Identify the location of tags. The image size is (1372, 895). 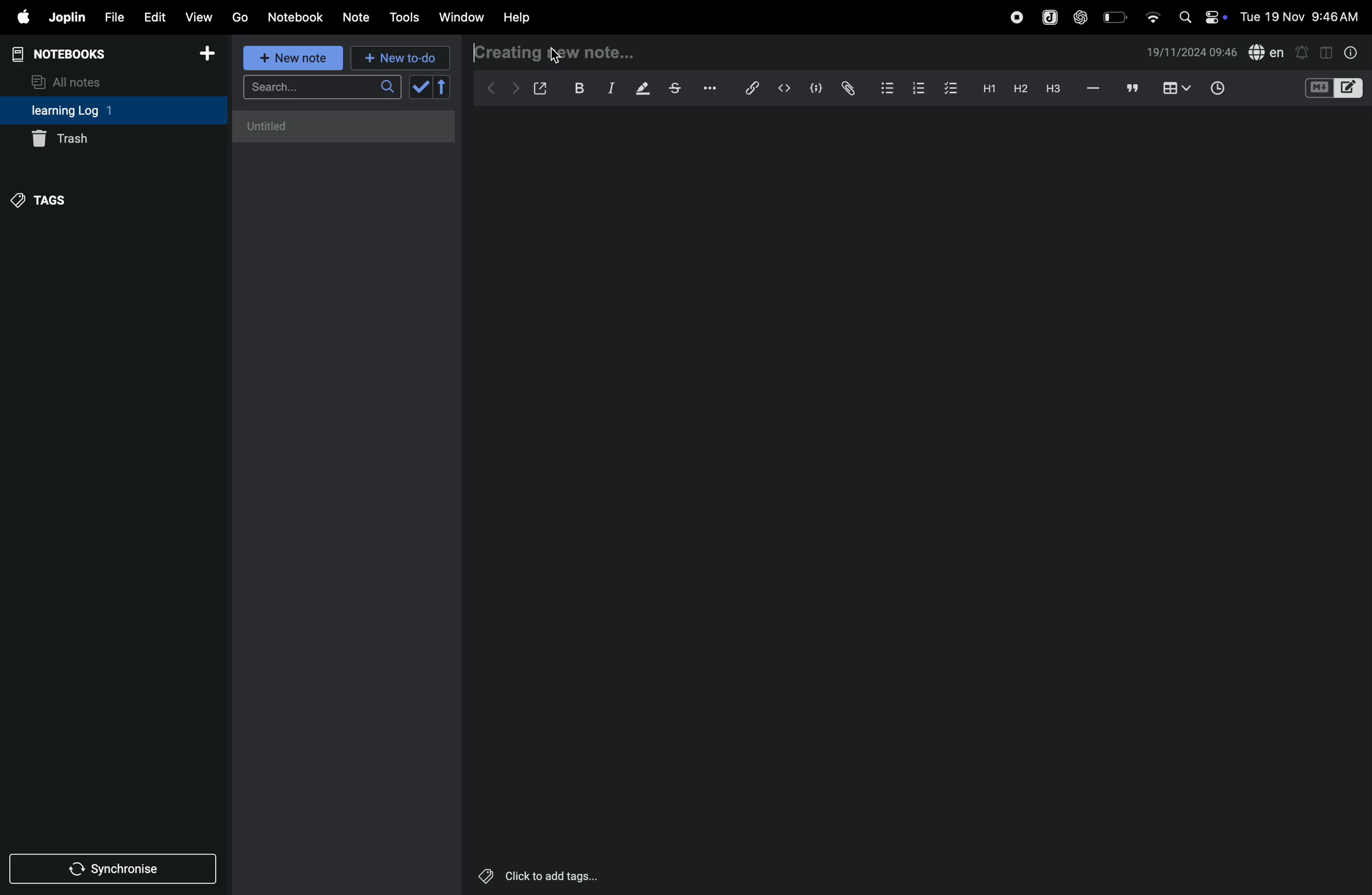
(42, 198).